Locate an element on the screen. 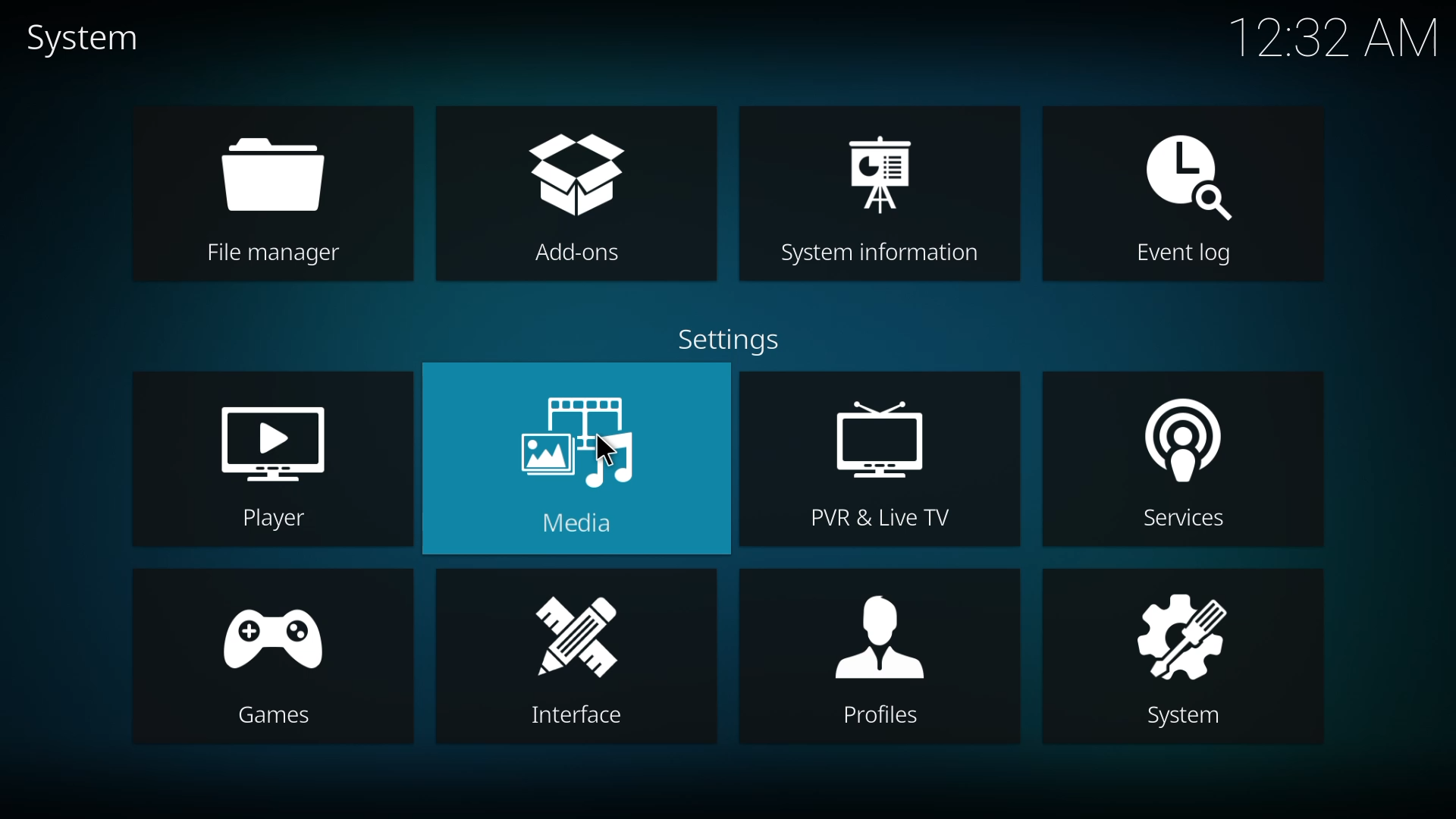  player is located at coordinates (278, 465).